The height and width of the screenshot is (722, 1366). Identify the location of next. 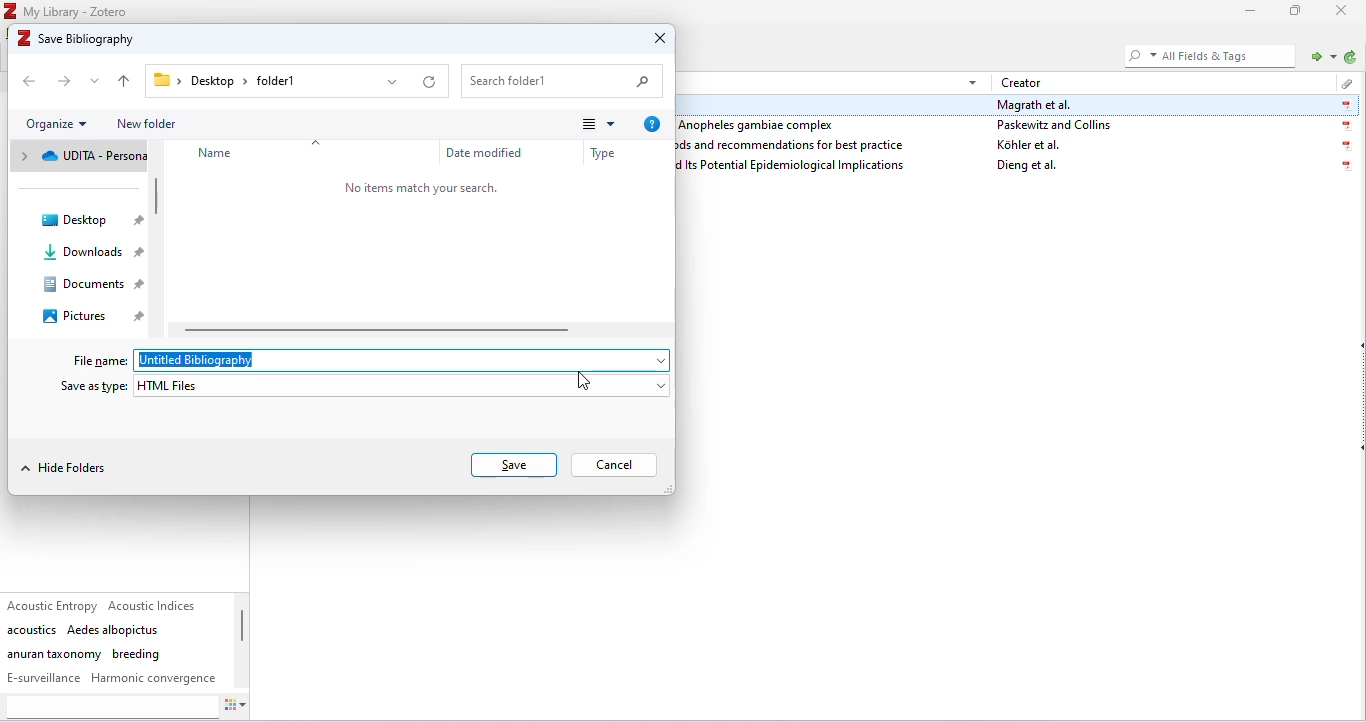
(67, 81).